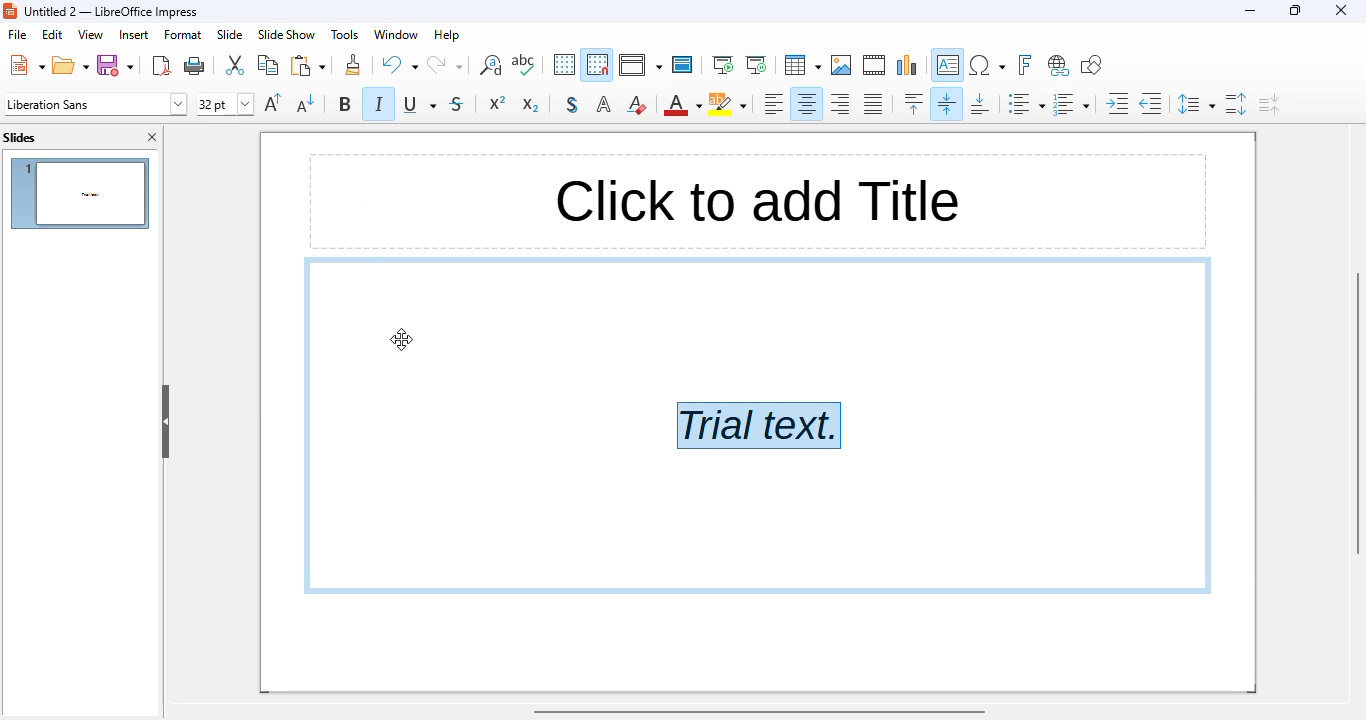  I want to click on format, so click(183, 34).